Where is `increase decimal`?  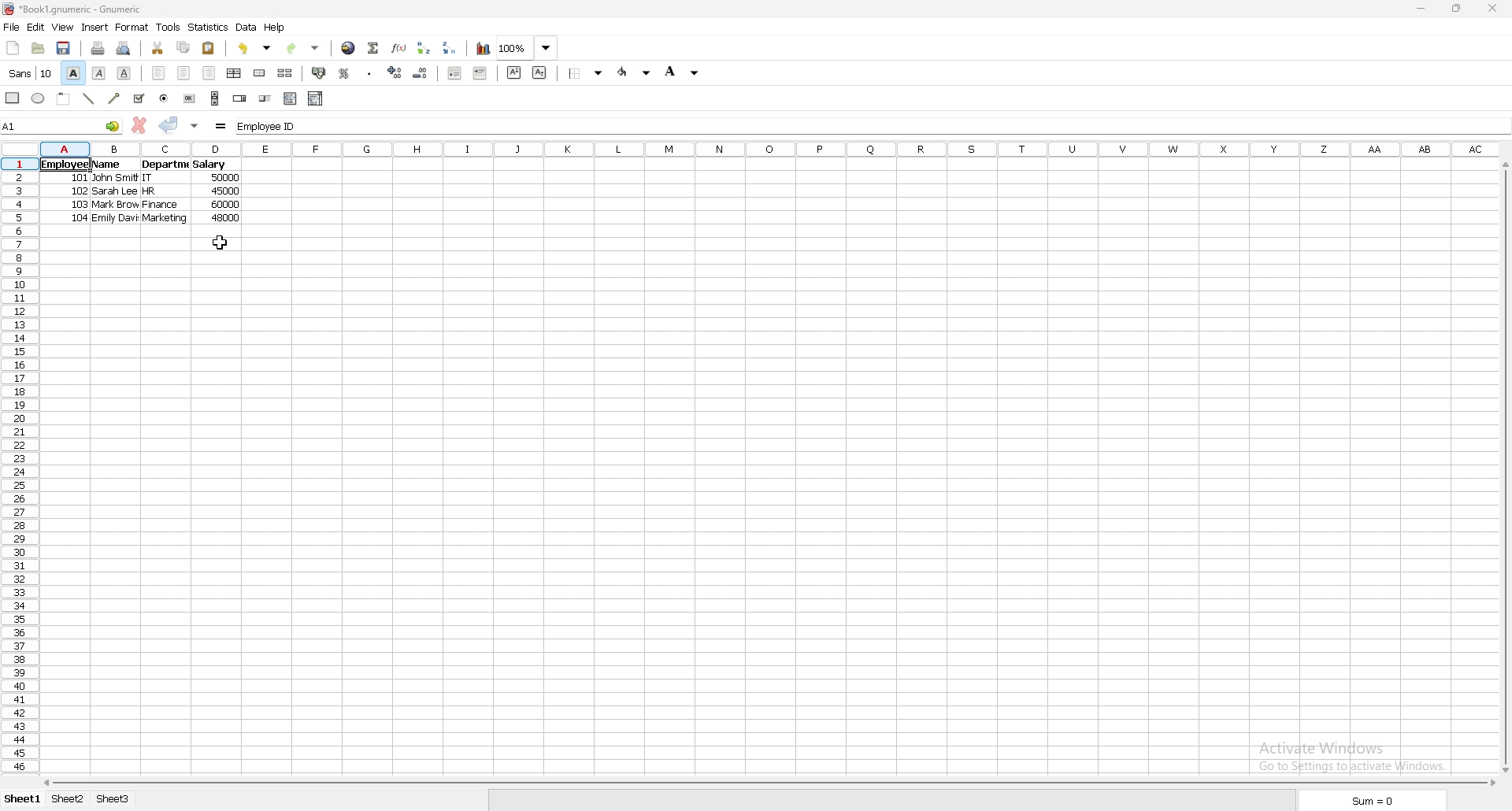
increase decimal is located at coordinates (395, 72).